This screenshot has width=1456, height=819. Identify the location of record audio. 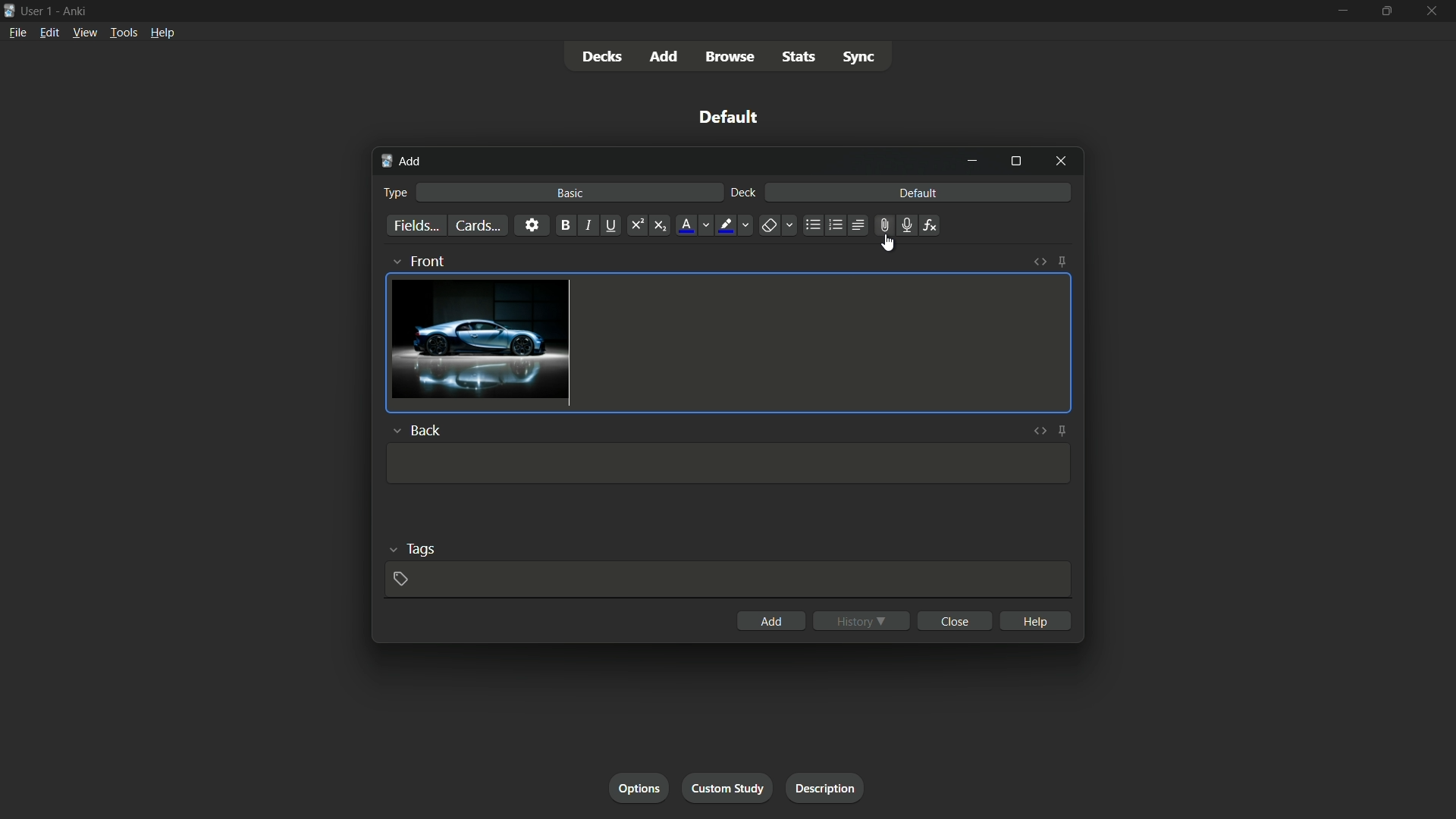
(908, 226).